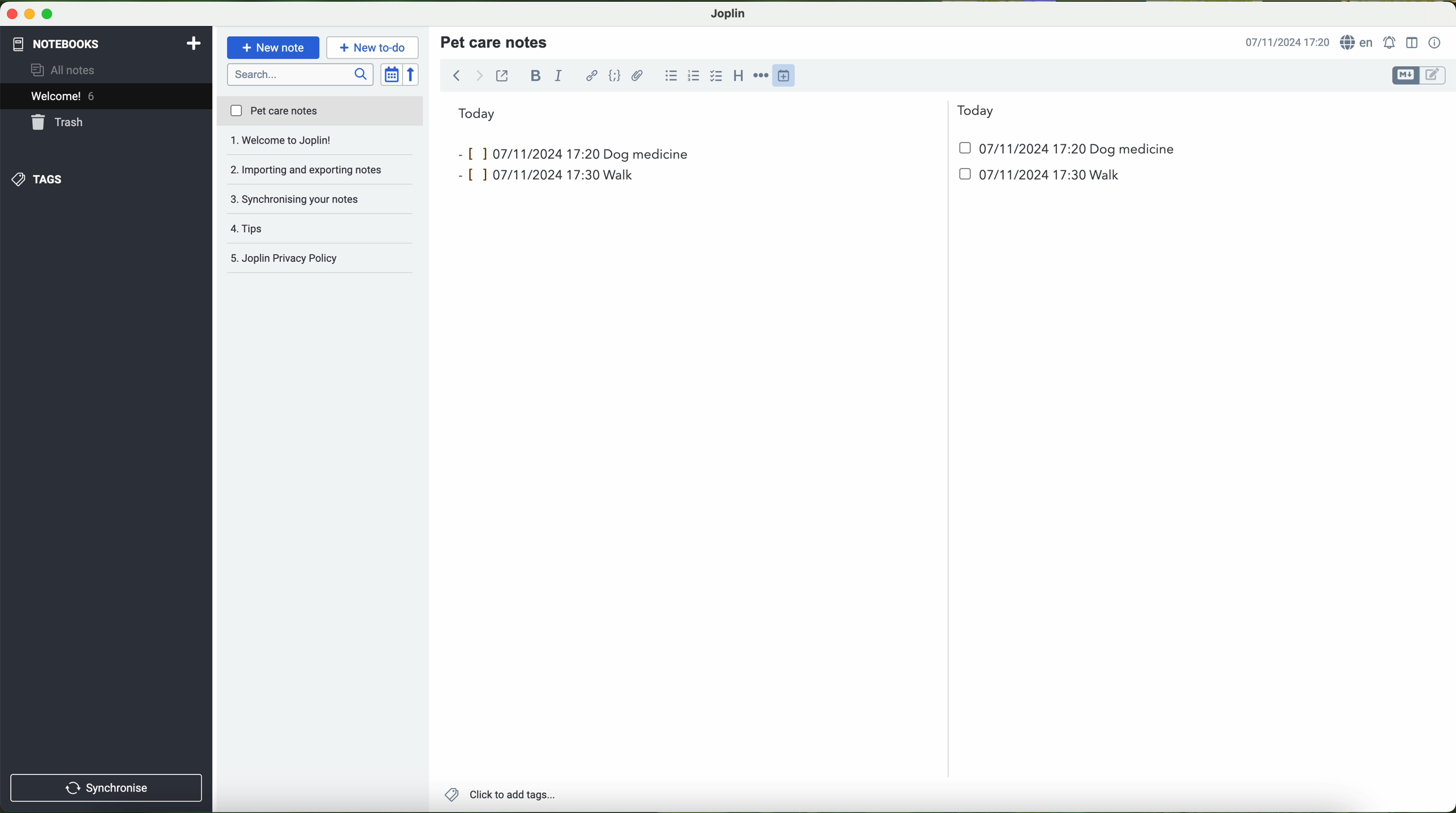 The width and height of the screenshot is (1456, 813). I want to click on notebooks, so click(55, 42).